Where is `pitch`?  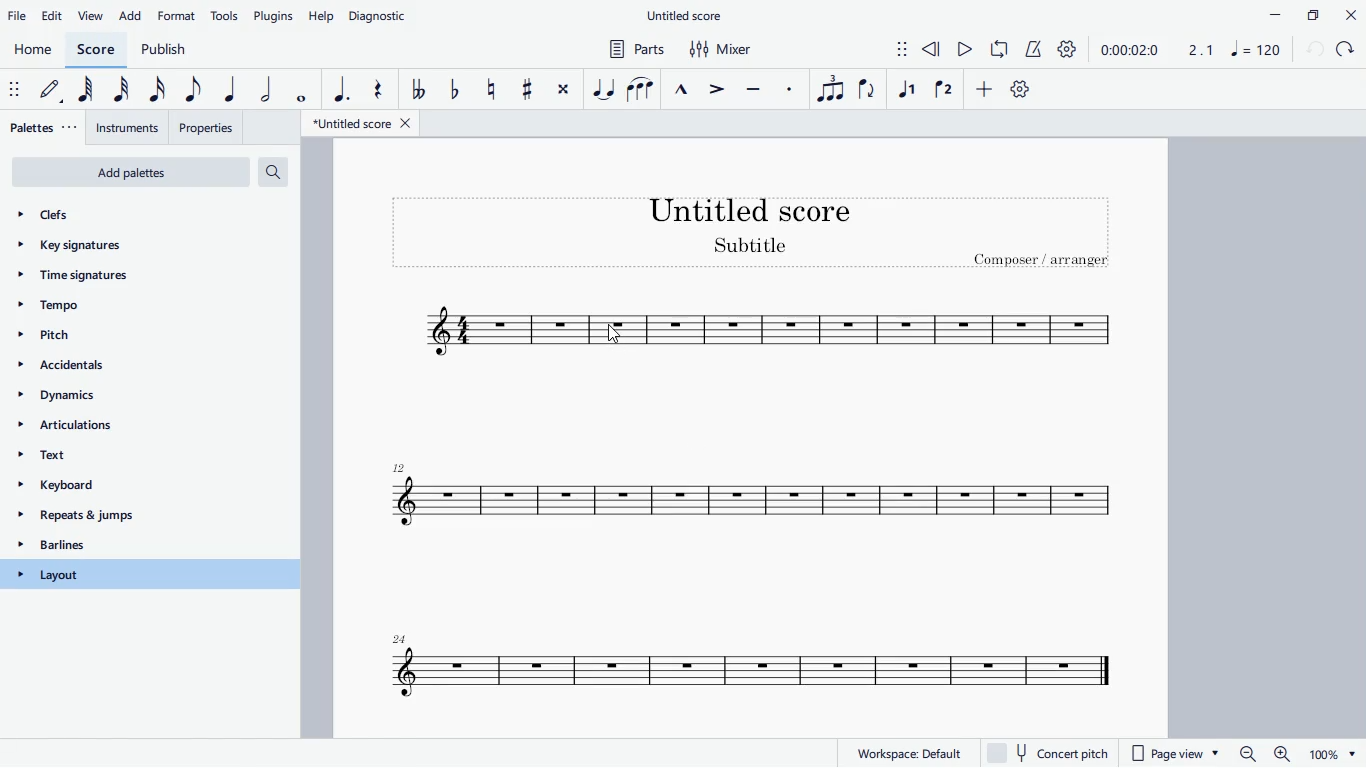
pitch is located at coordinates (79, 334).